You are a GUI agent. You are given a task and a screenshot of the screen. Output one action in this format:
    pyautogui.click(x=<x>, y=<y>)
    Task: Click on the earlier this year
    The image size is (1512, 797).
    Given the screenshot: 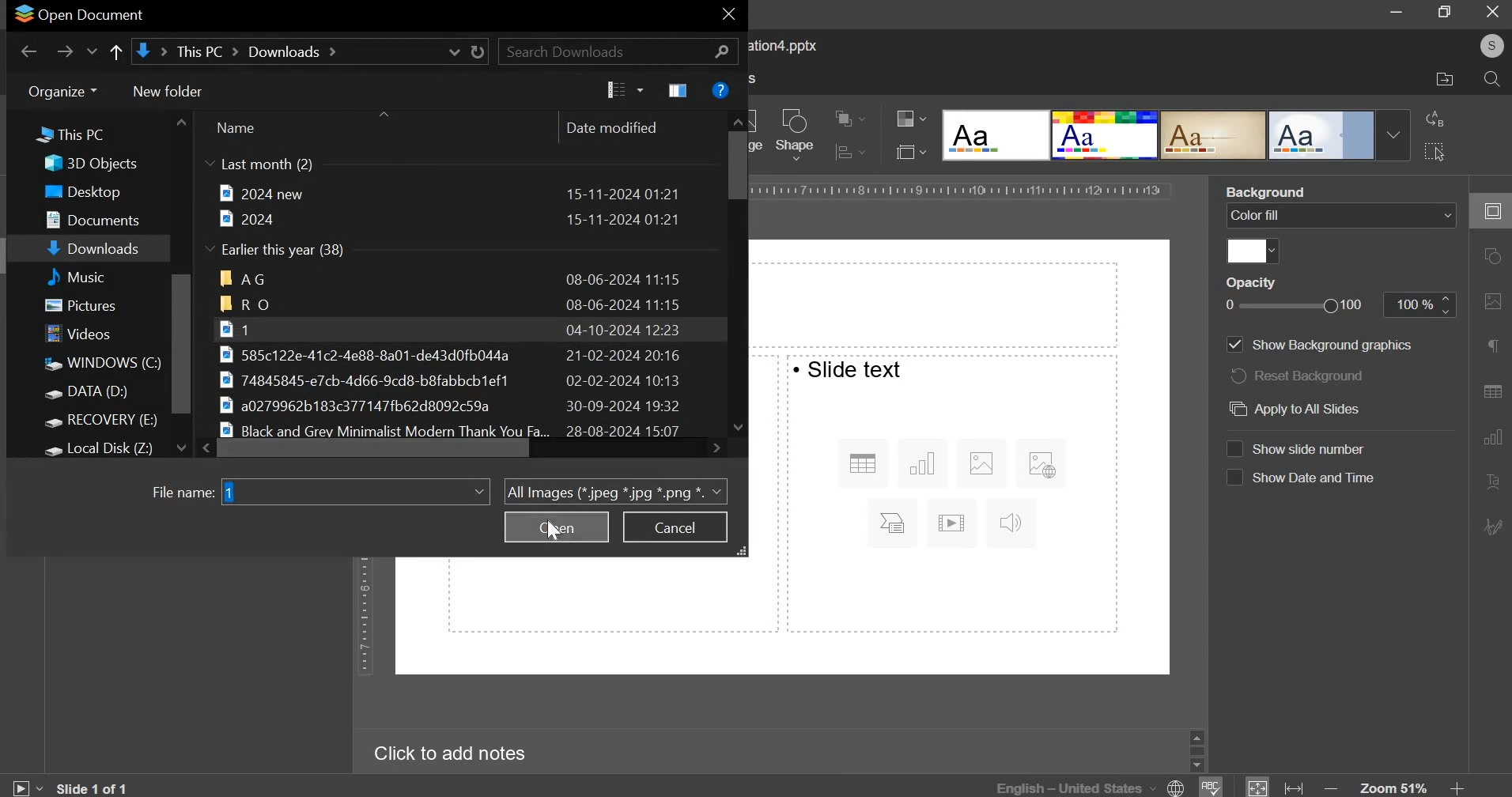 What is the action you would take?
    pyautogui.click(x=278, y=251)
    